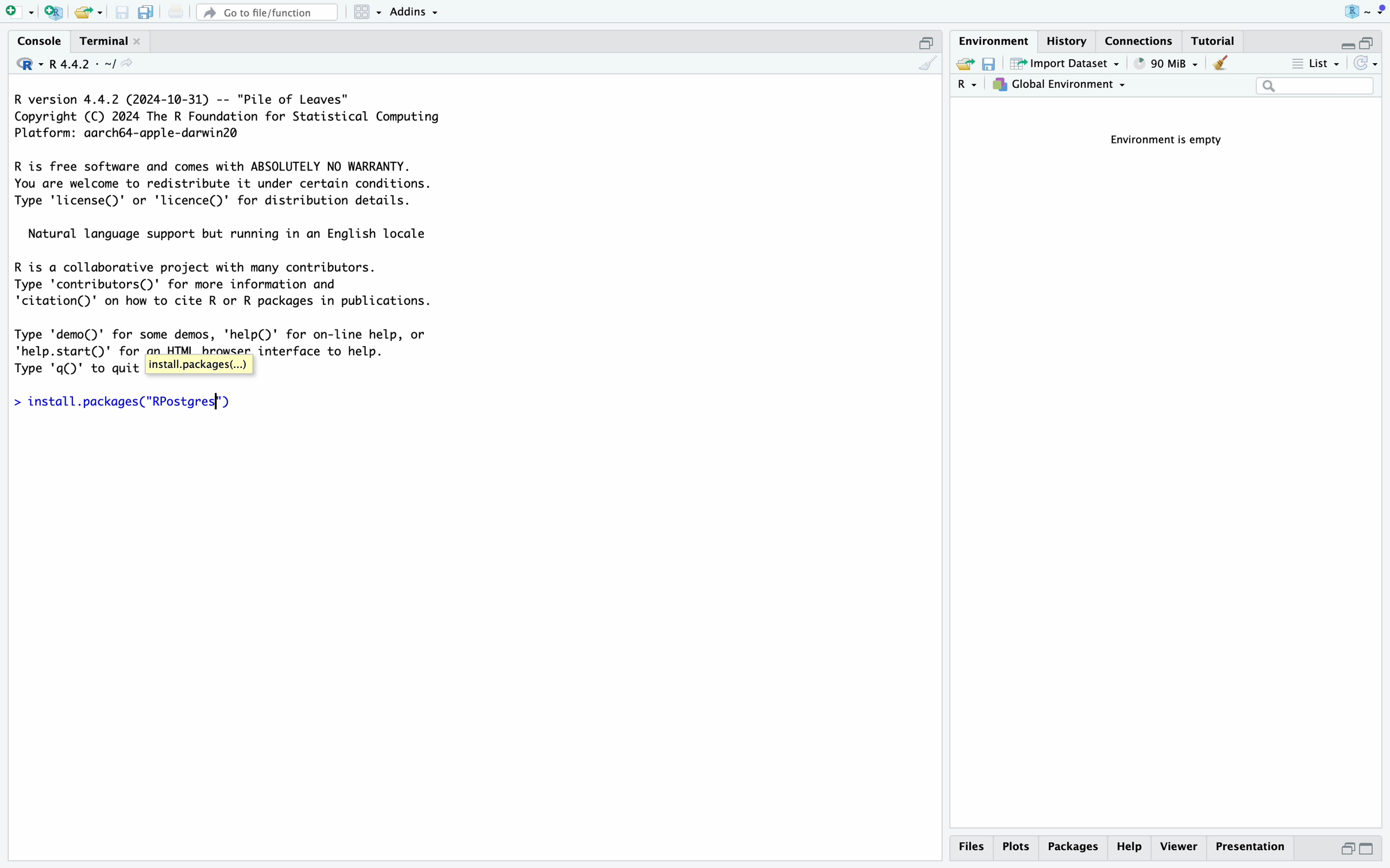  What do you see at coordinates (134, 404) in the screenshot?
I see `install.packages("RPostgres|’)` at bounding box center [134, 404].